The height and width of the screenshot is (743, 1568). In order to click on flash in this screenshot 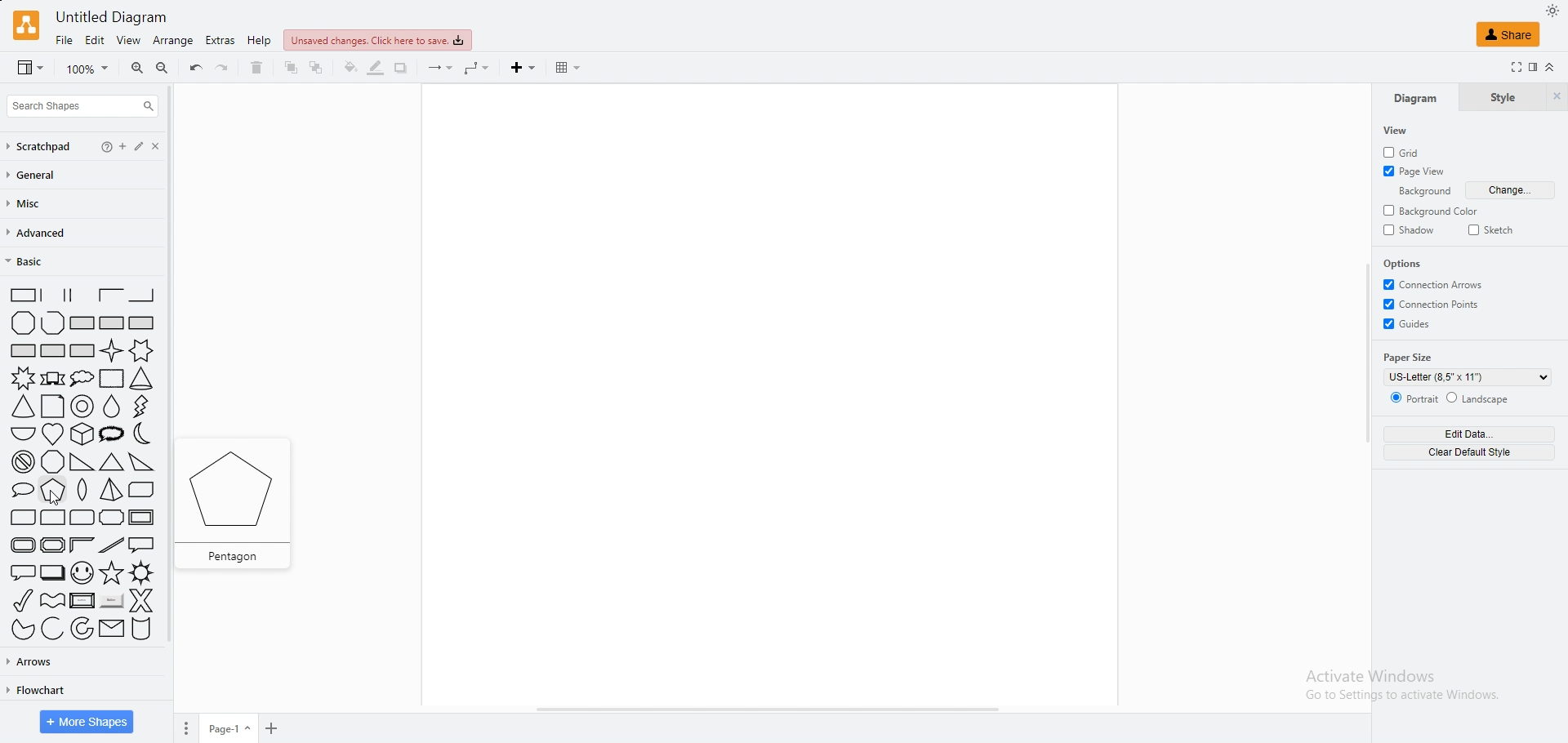, I will do `click(144, 406)`.